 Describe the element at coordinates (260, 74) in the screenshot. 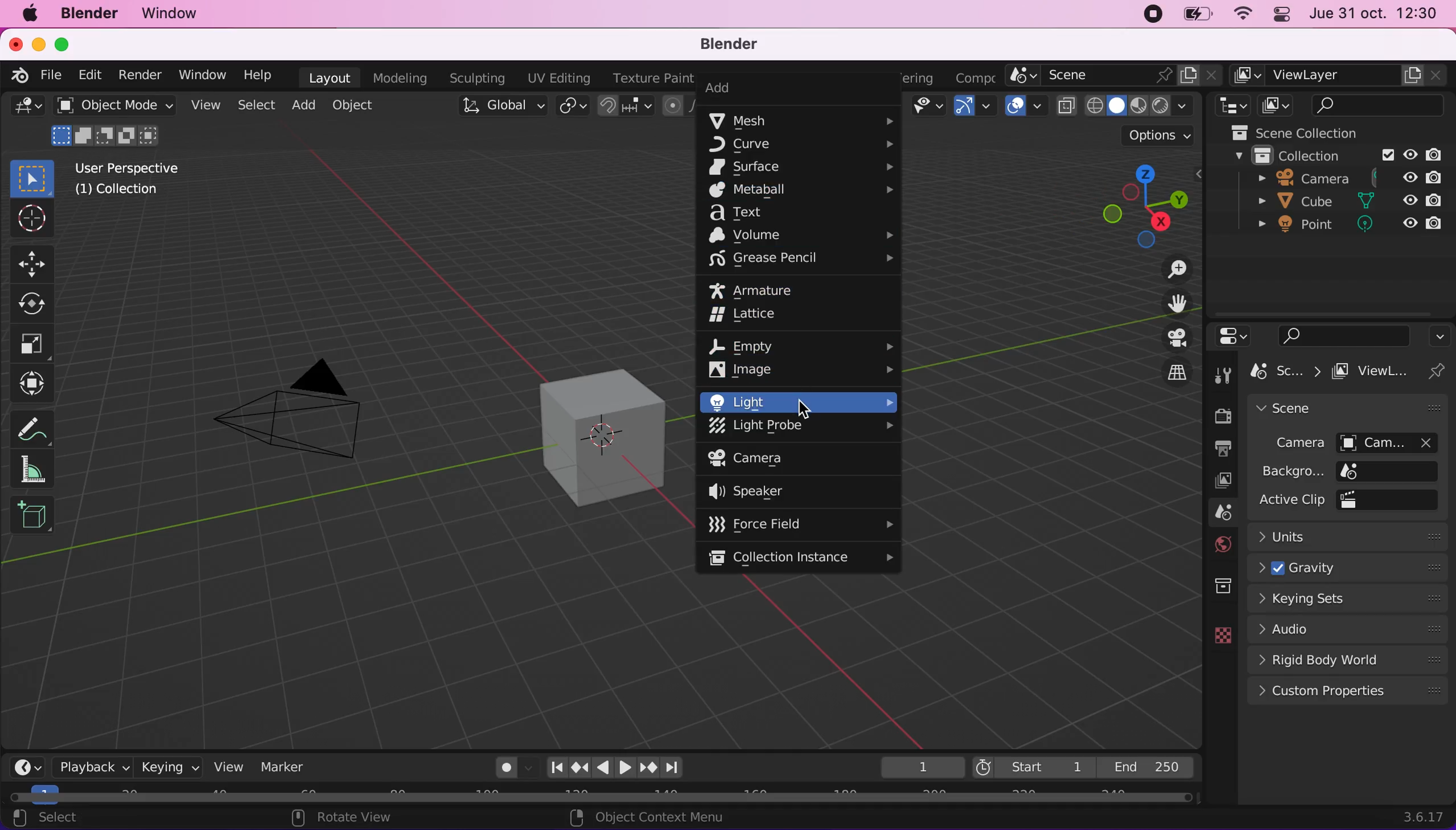

I see `help` at that location.